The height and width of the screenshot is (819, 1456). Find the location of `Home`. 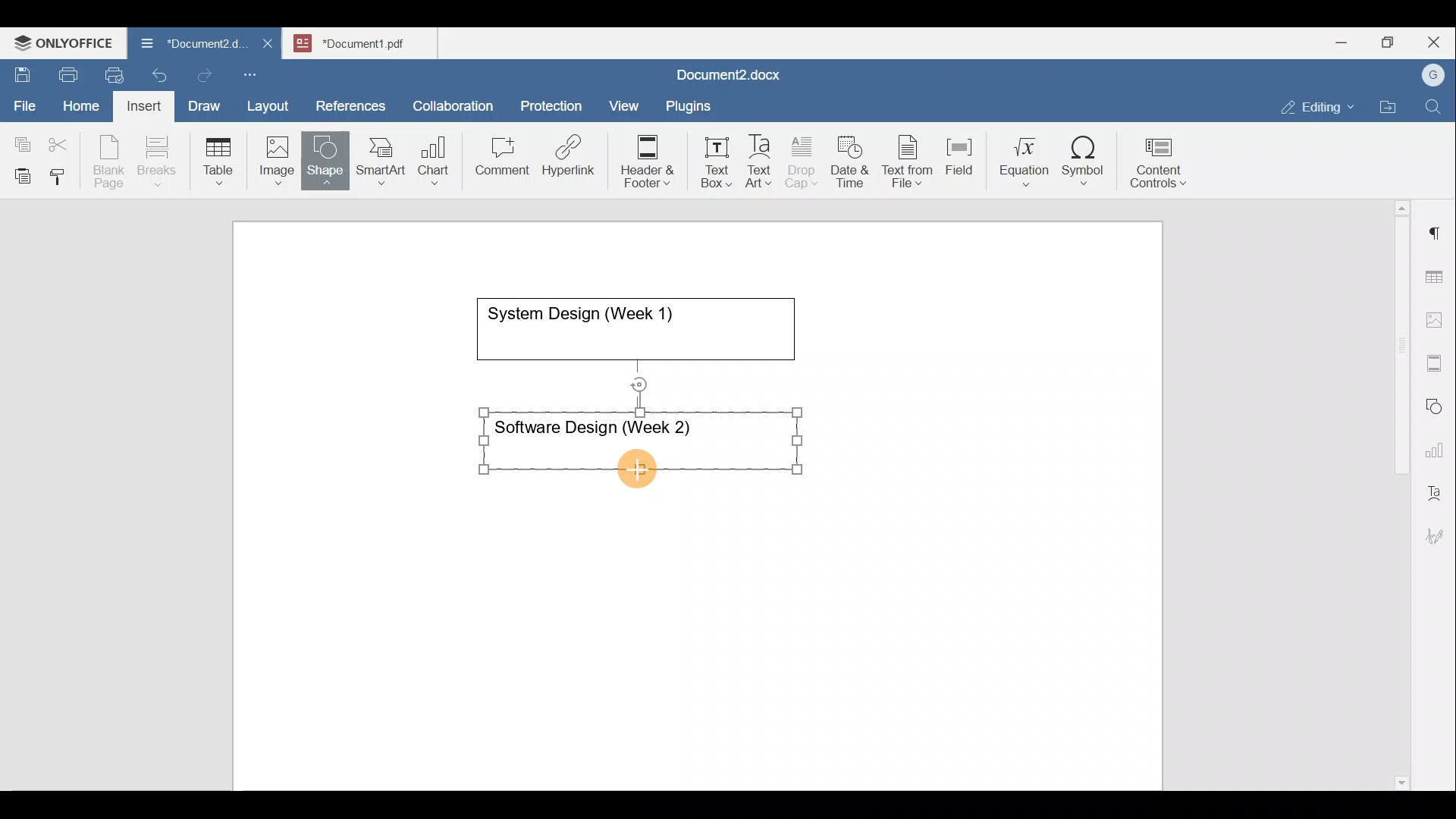

Home is located at coordinates (82, 105).